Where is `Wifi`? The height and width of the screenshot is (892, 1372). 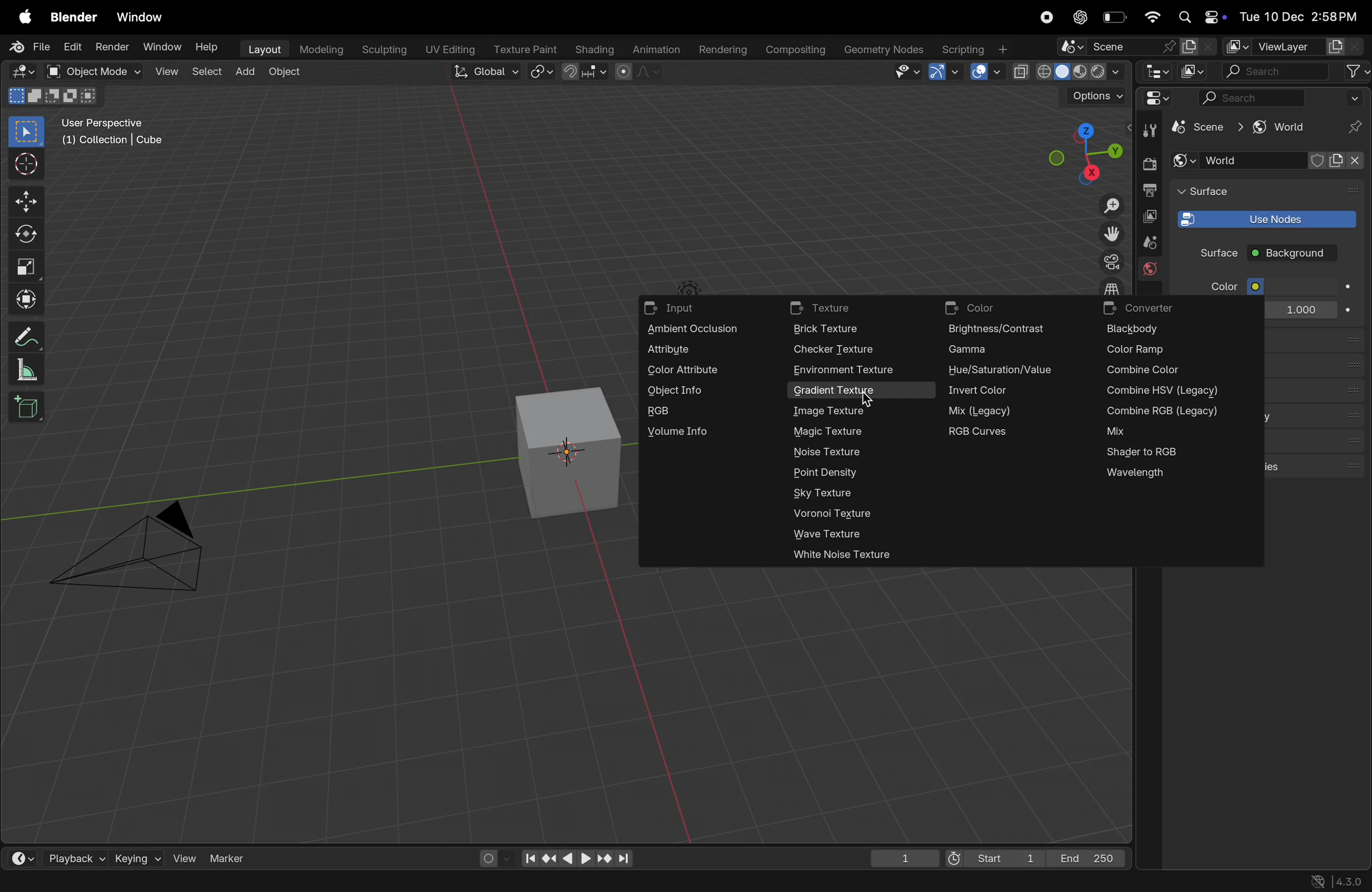 Wifi is located at coordinates (1152, 18).